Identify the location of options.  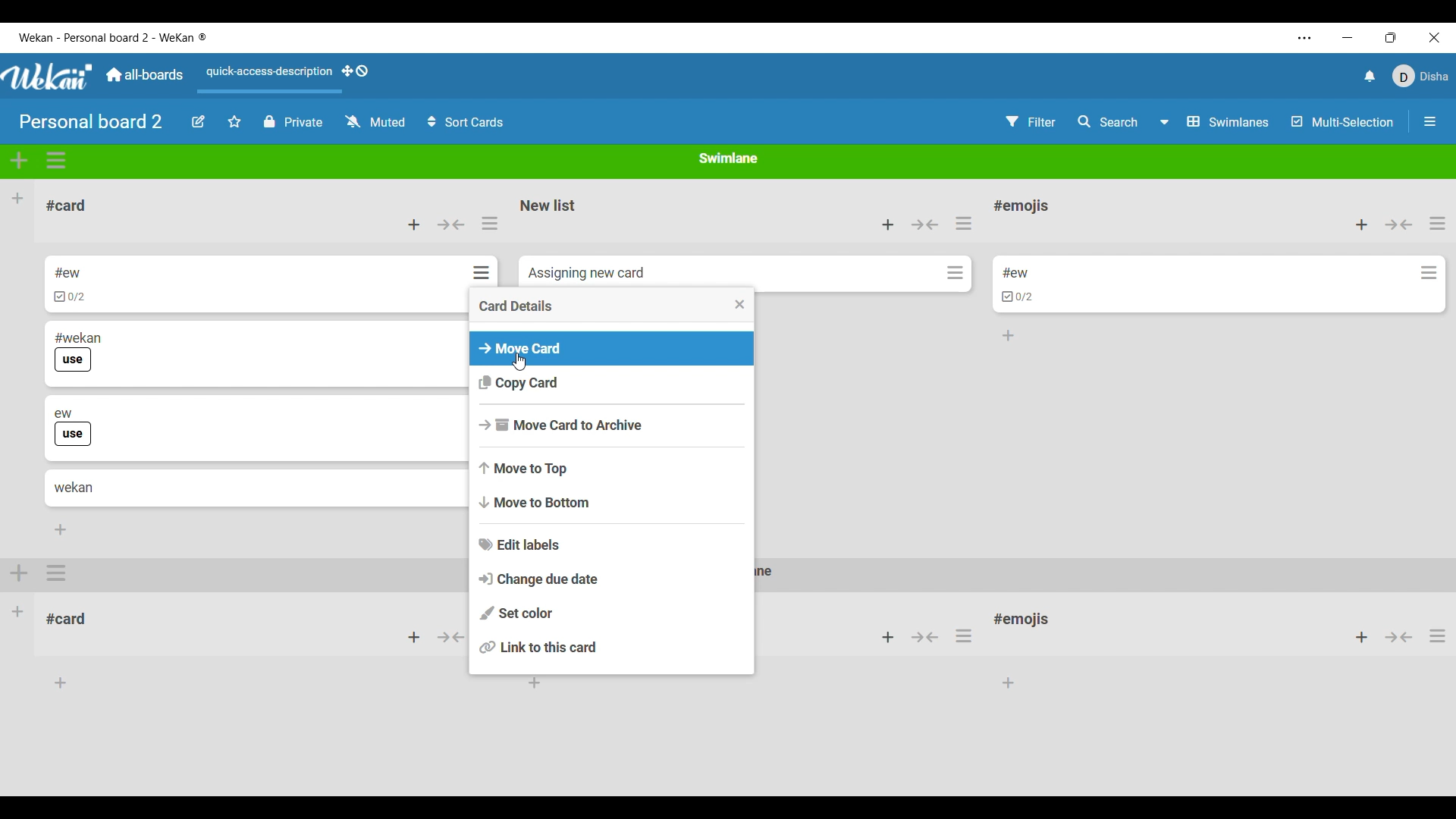
(968, 635).